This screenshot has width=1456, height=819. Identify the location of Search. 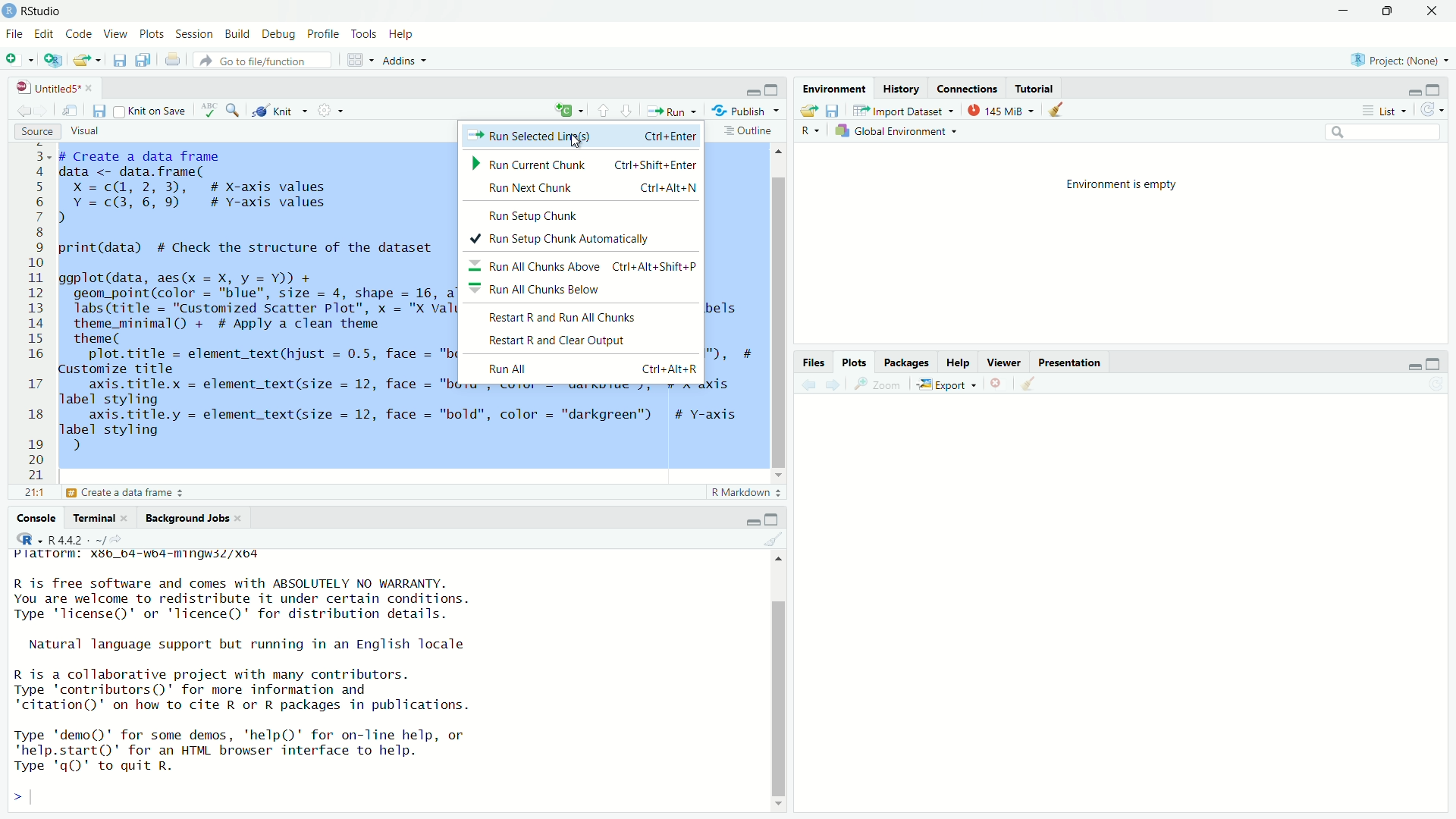
(1382, 131).